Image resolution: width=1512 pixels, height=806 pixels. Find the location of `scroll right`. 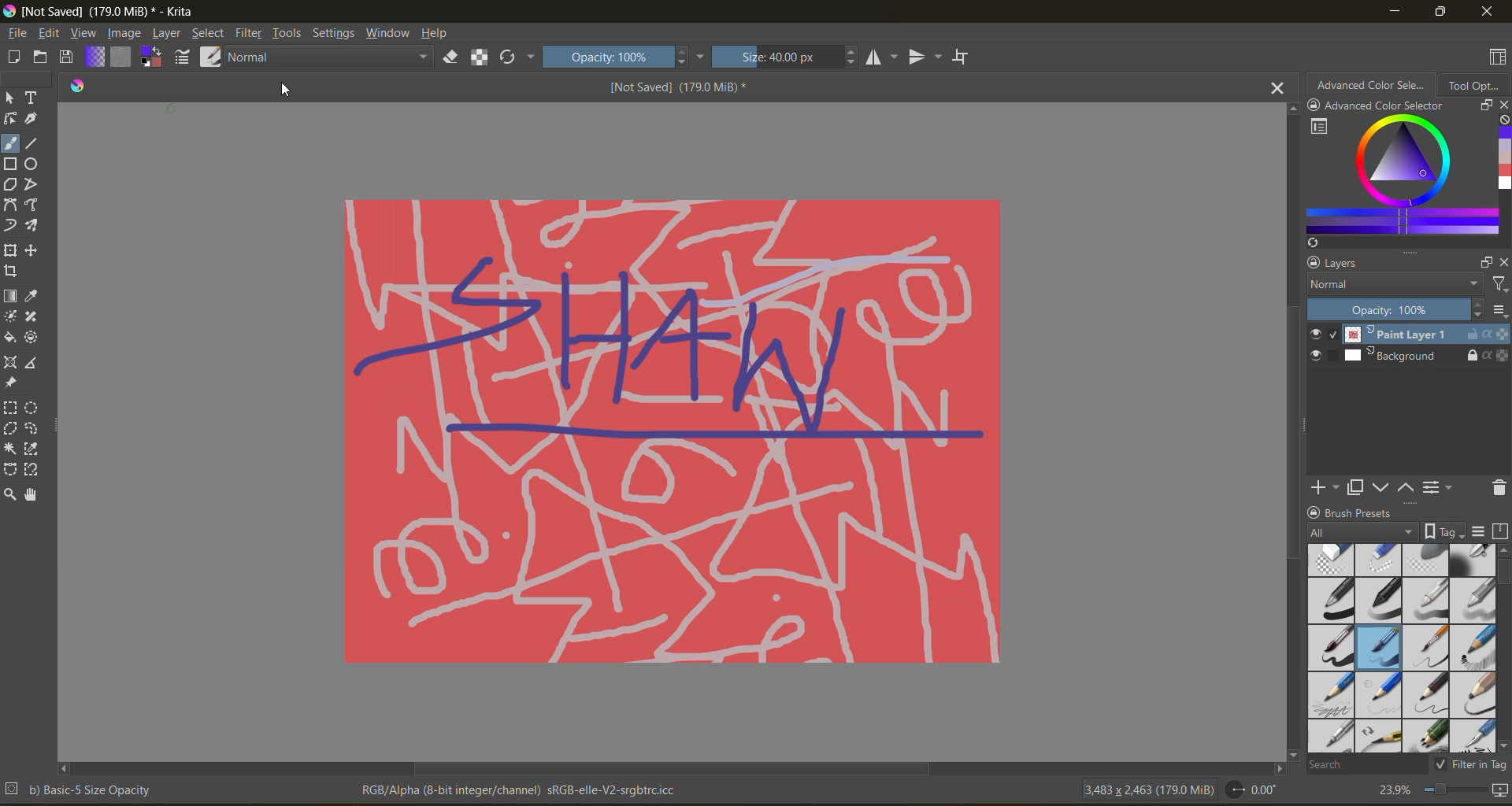

scroll right is located at coordinates (1275, 764).